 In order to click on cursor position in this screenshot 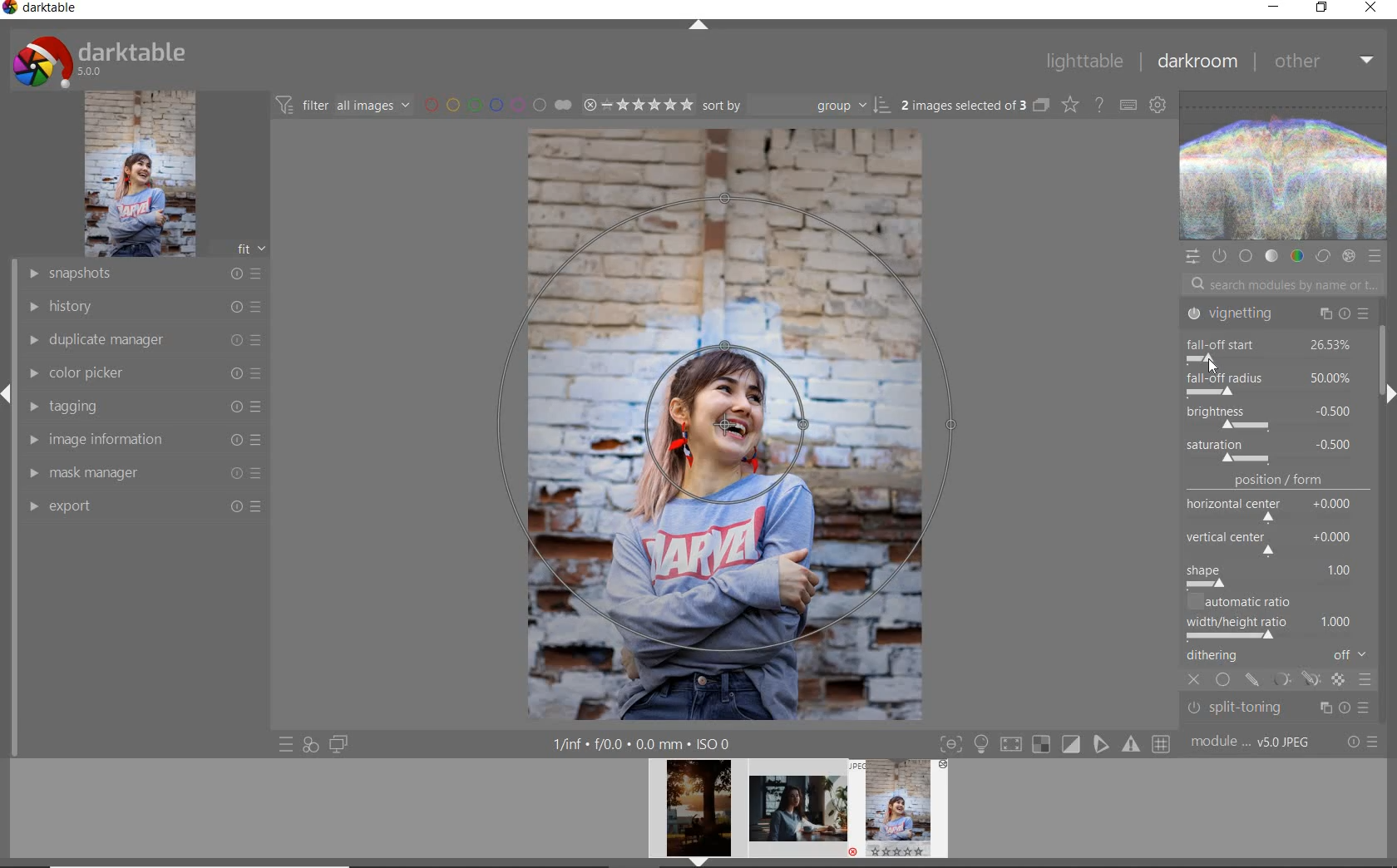, I will do `click(1211, 363)`.